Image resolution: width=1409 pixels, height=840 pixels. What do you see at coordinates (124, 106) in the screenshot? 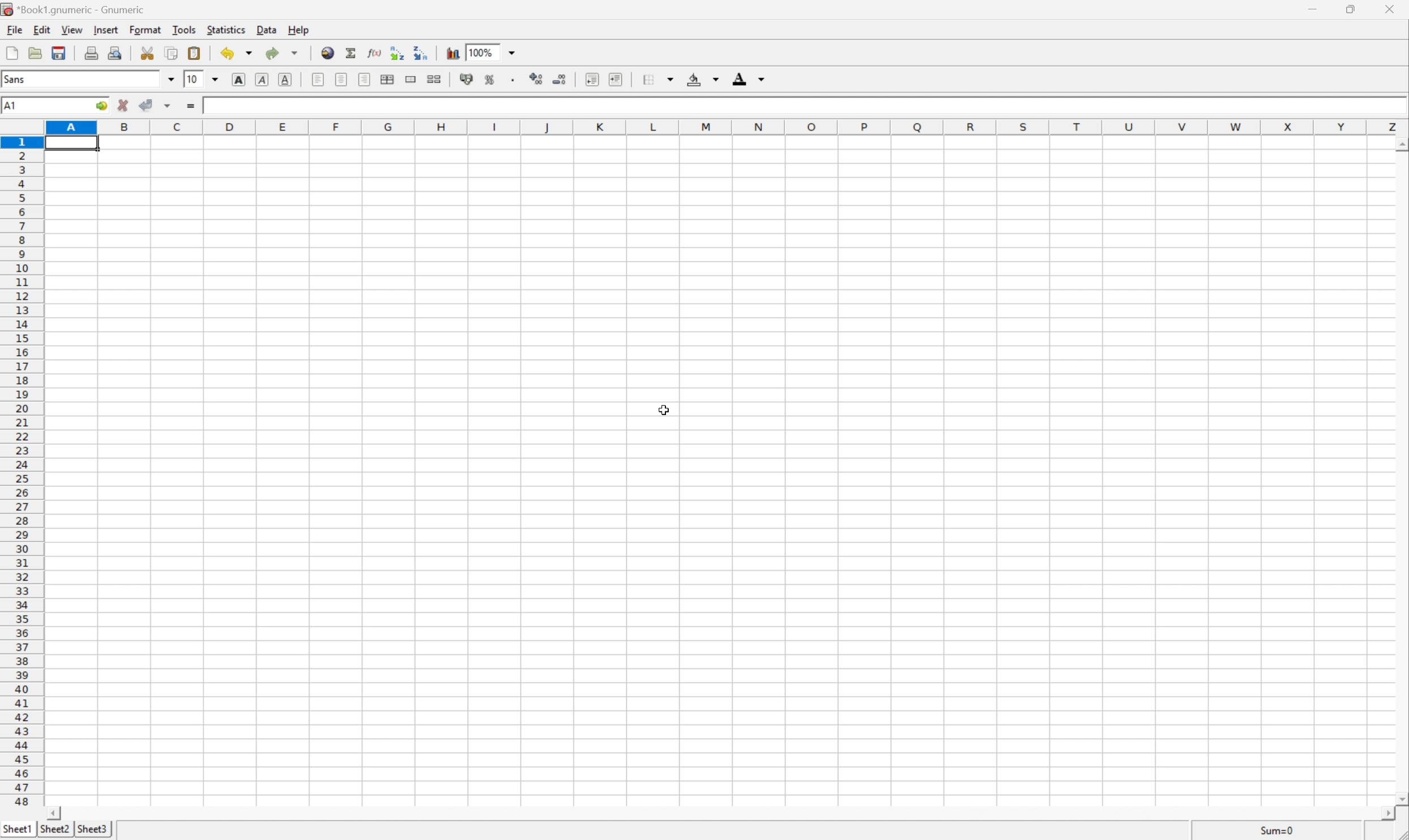
I see `Cancel changes` at bounding box center [124, 106].